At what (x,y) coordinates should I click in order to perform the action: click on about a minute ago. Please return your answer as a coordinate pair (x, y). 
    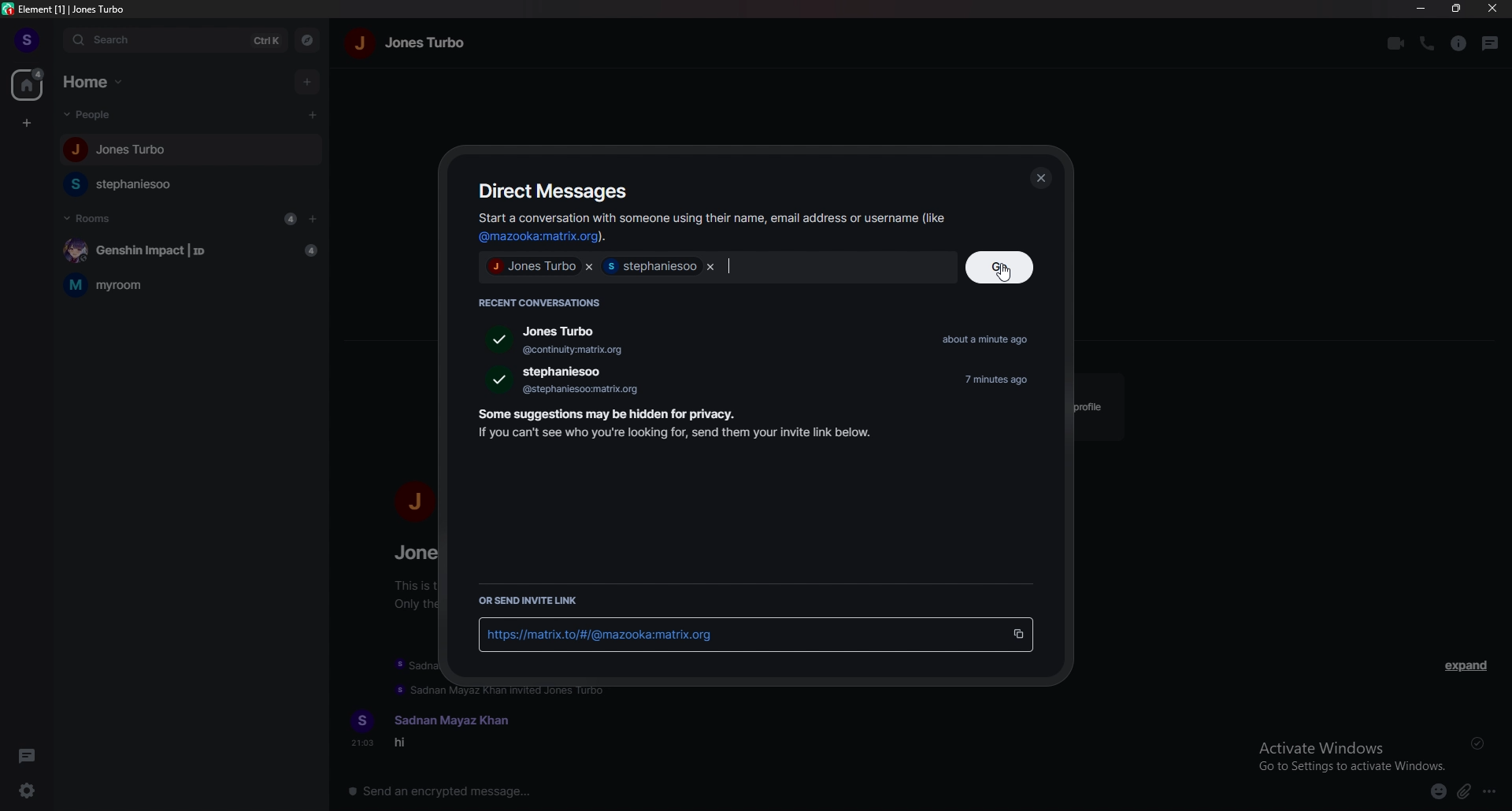
    Looking at the image, I should click on (992, 341).